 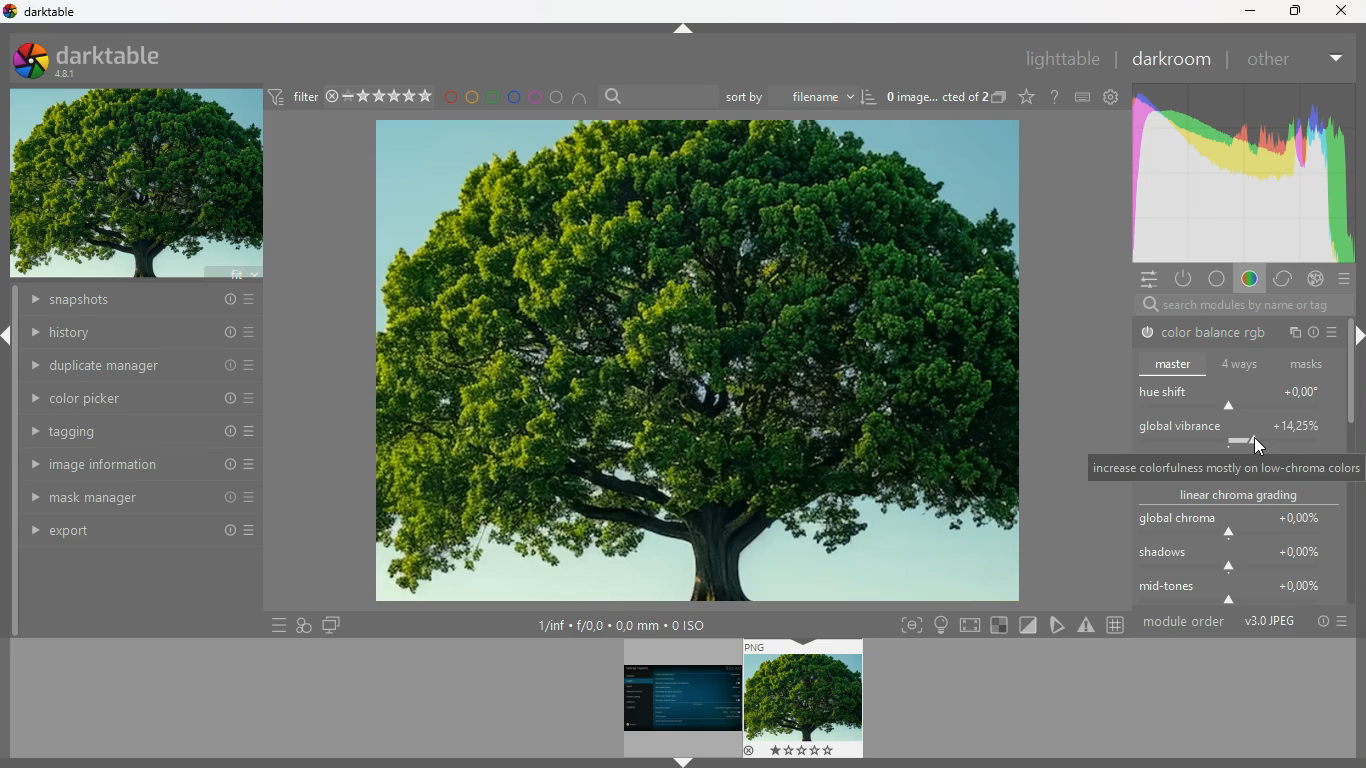 What do you see at coordinates (331, 624) in the screenshot?
I see `screen` at bounding box center [331, 624].